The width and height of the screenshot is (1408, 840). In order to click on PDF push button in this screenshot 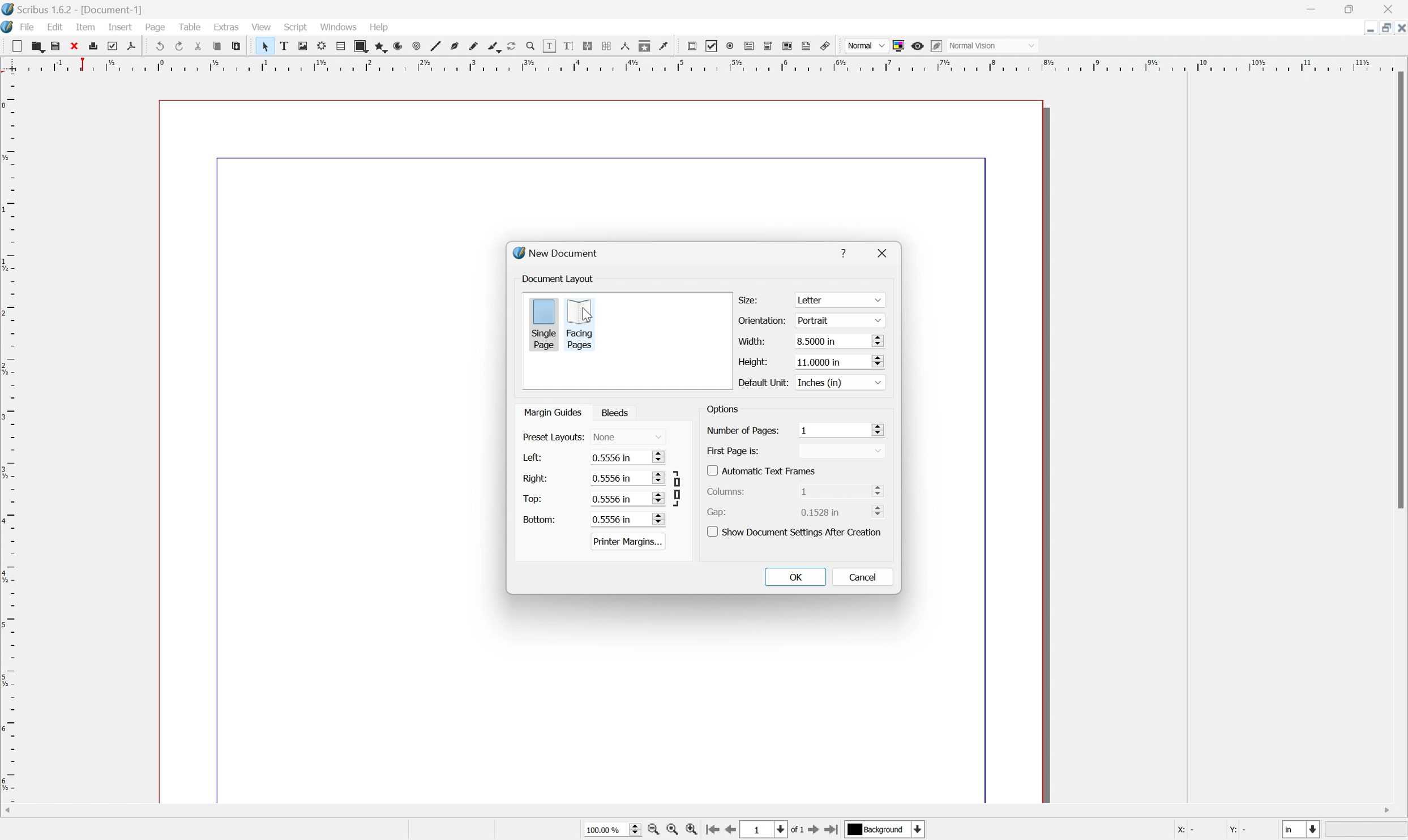, I will do `click(691, 46)`.